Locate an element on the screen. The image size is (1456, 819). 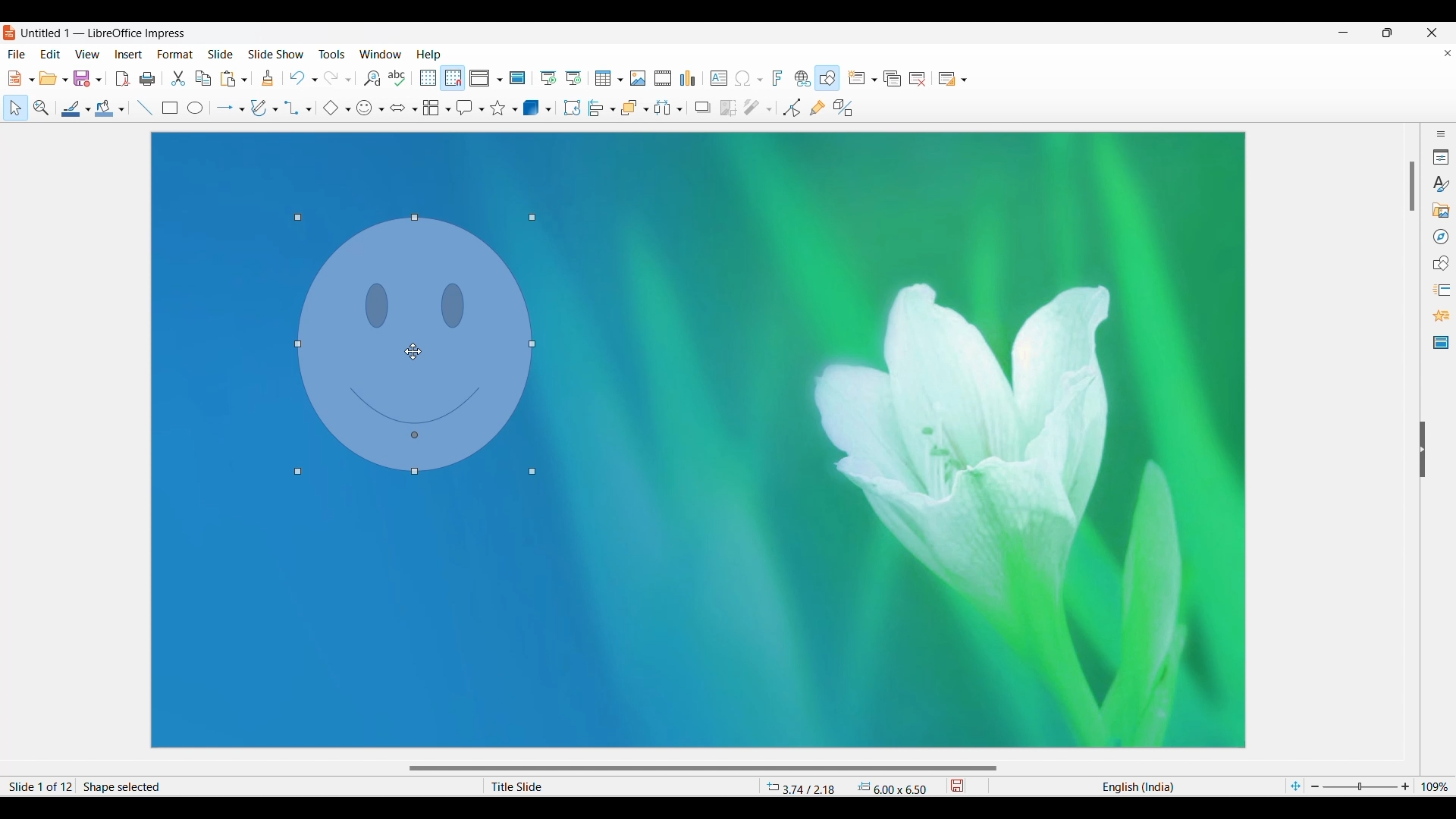
Show interface in a smaller tab is located at coordinates (1388, 33).